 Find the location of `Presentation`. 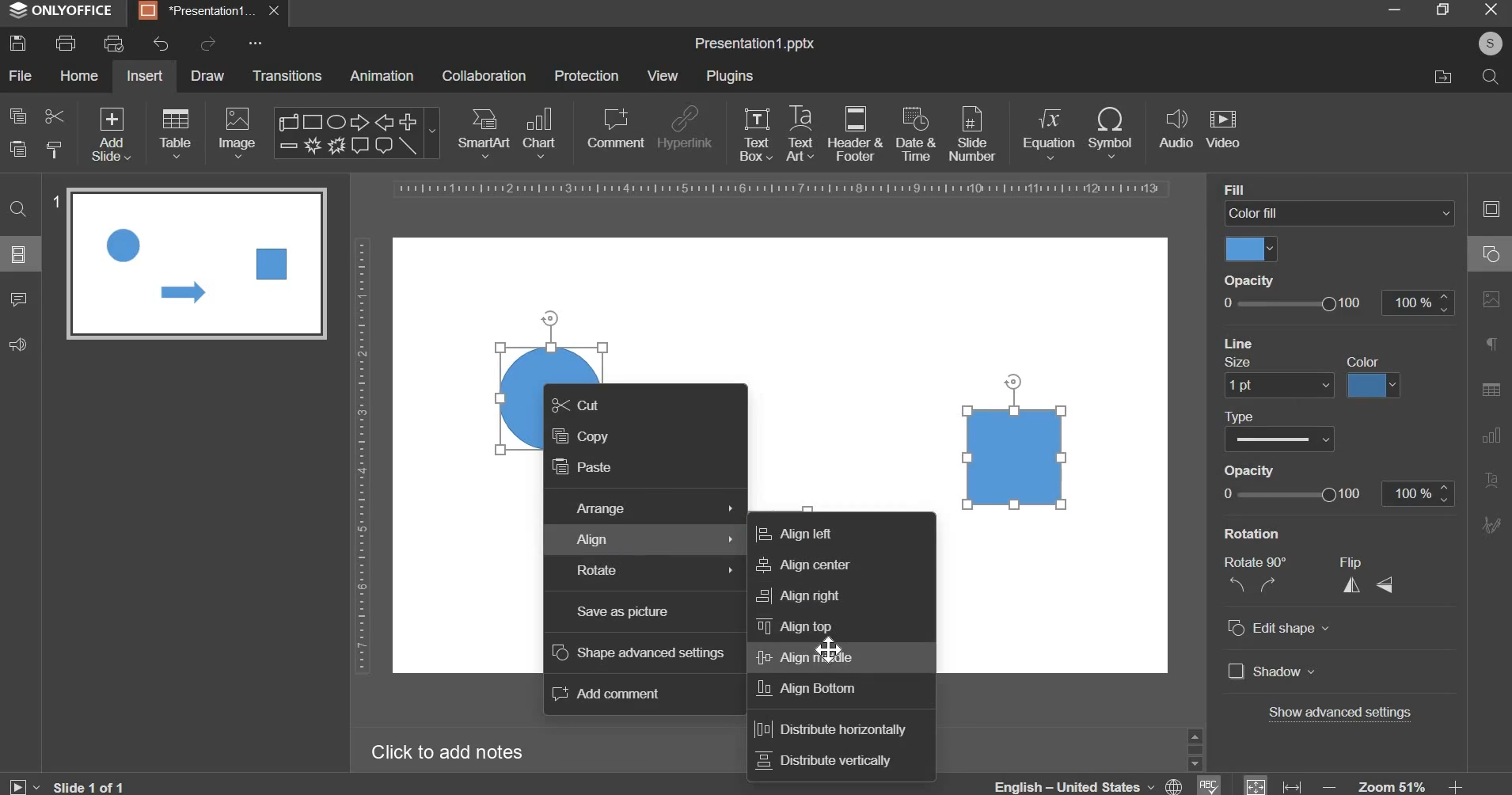

Presentation is located at coordinates (198, 11).